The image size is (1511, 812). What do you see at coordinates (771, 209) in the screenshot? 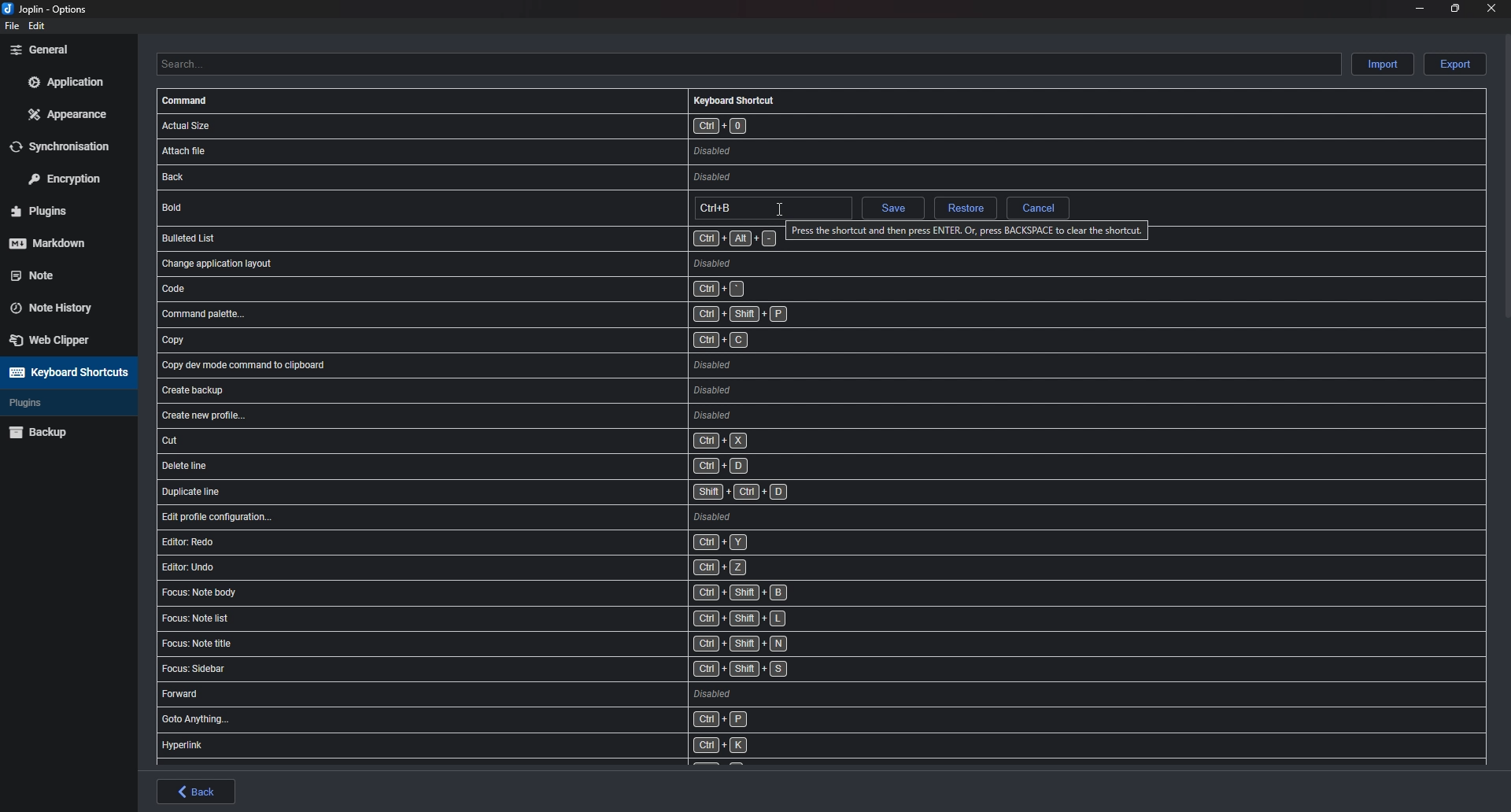
I see `hotkey` at bounding box center [771, 209].